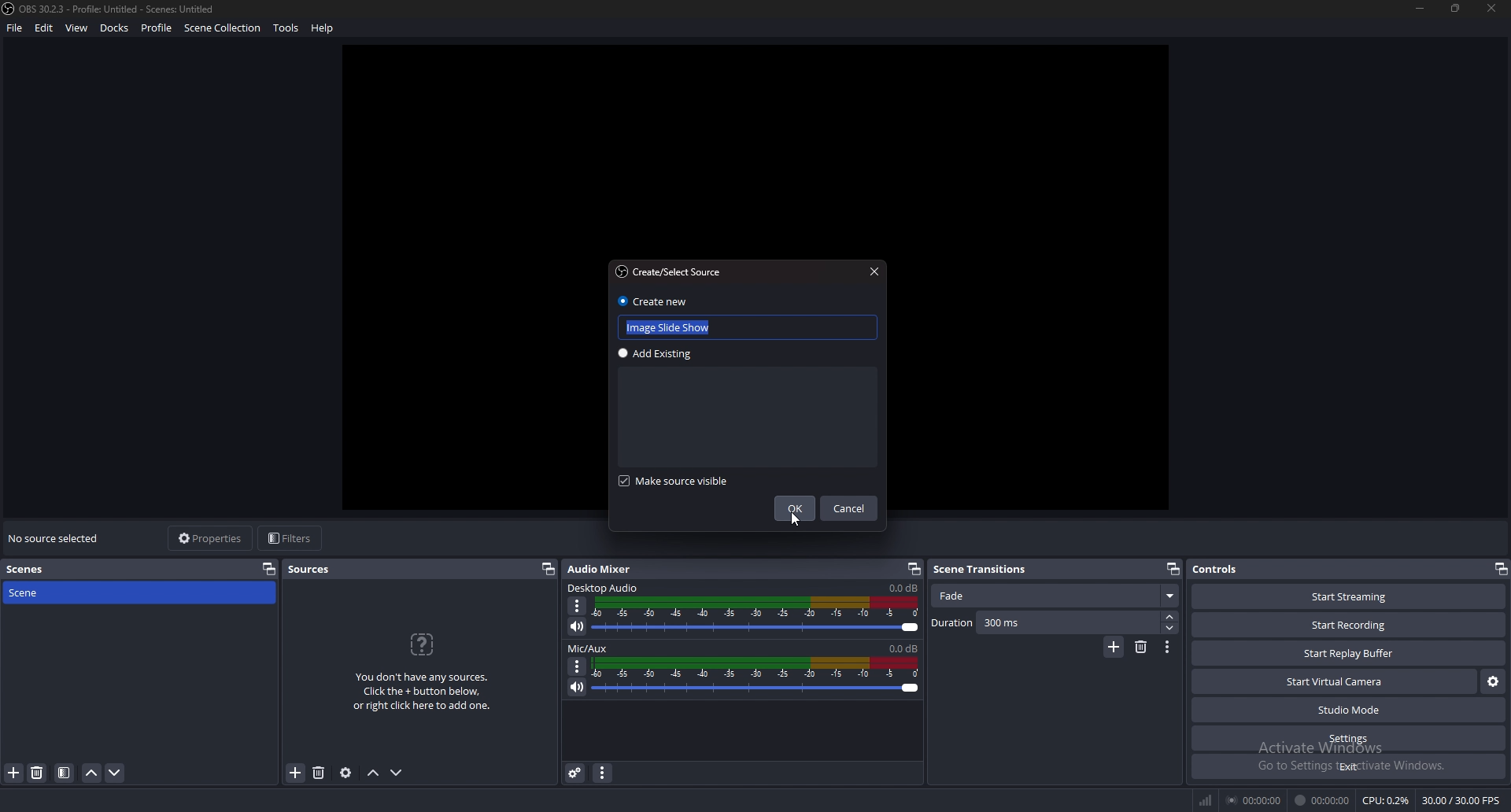 The image size is (1511, 812). What do you see at coordinates (317, 570) in the screenshot?
I see `sources` at bounding box center [317, 570].